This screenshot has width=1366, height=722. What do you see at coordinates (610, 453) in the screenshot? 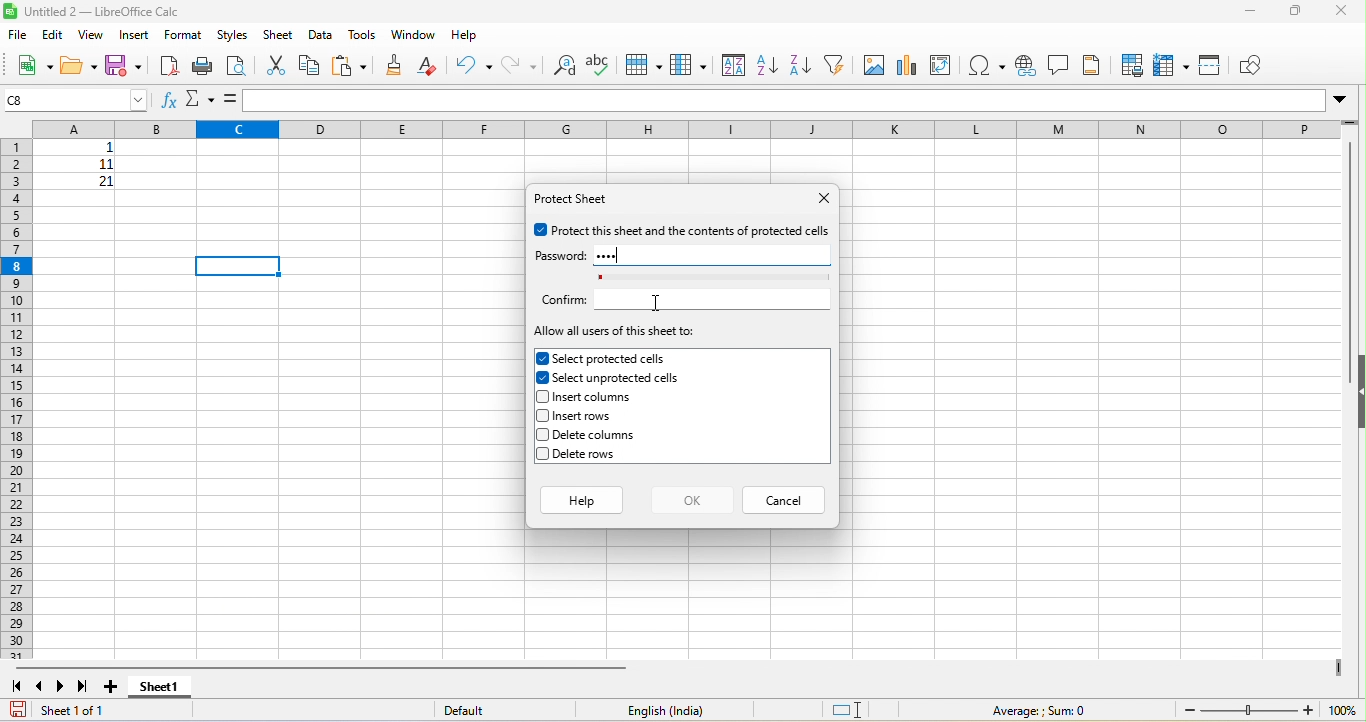
I see `delete rows` at bounding box center [610, 453].